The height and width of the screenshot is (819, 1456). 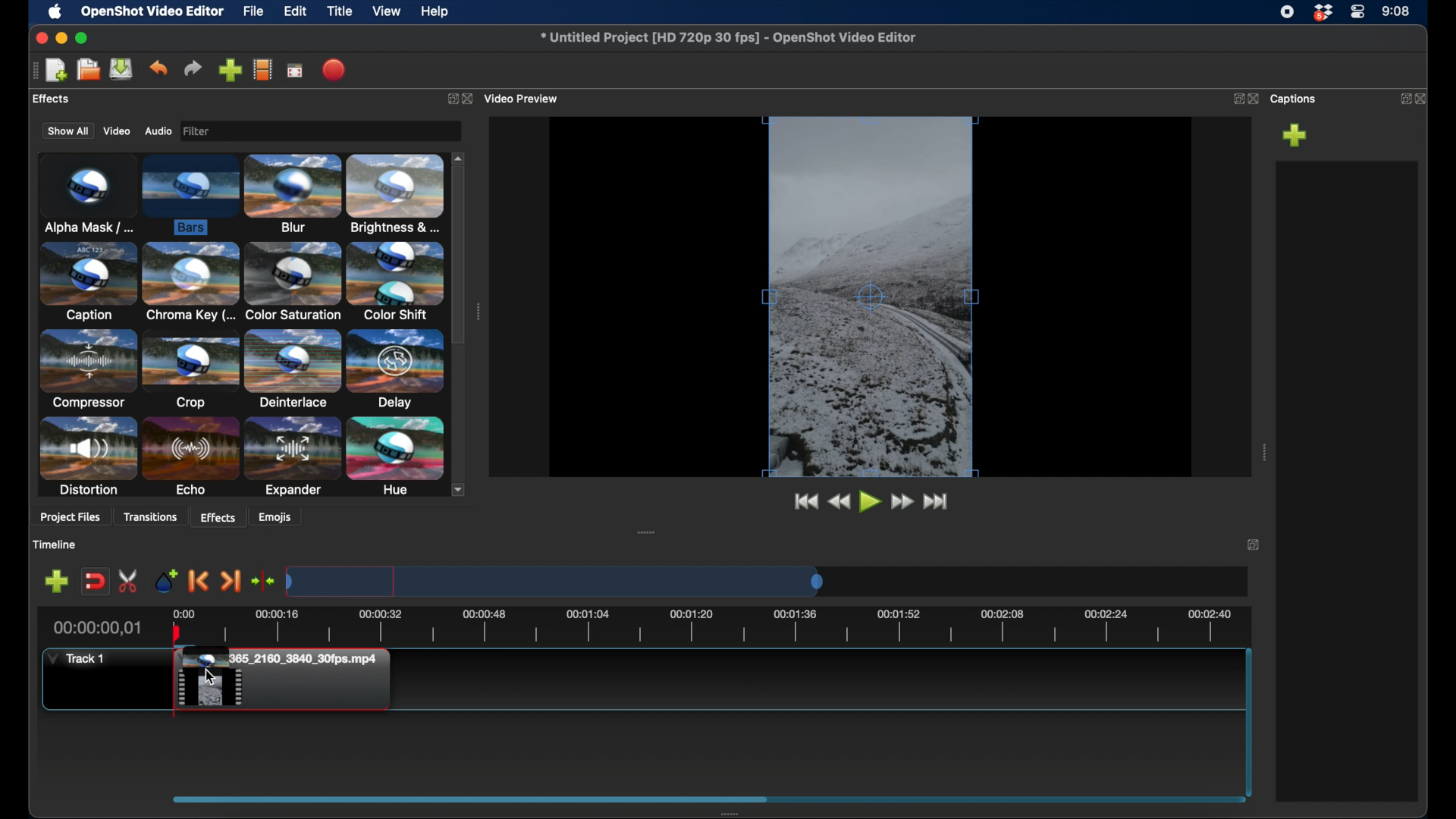 What do you see at coordinates (726, 626) in the screenshot?
I see `timeline` at bounding box center [726, 626].